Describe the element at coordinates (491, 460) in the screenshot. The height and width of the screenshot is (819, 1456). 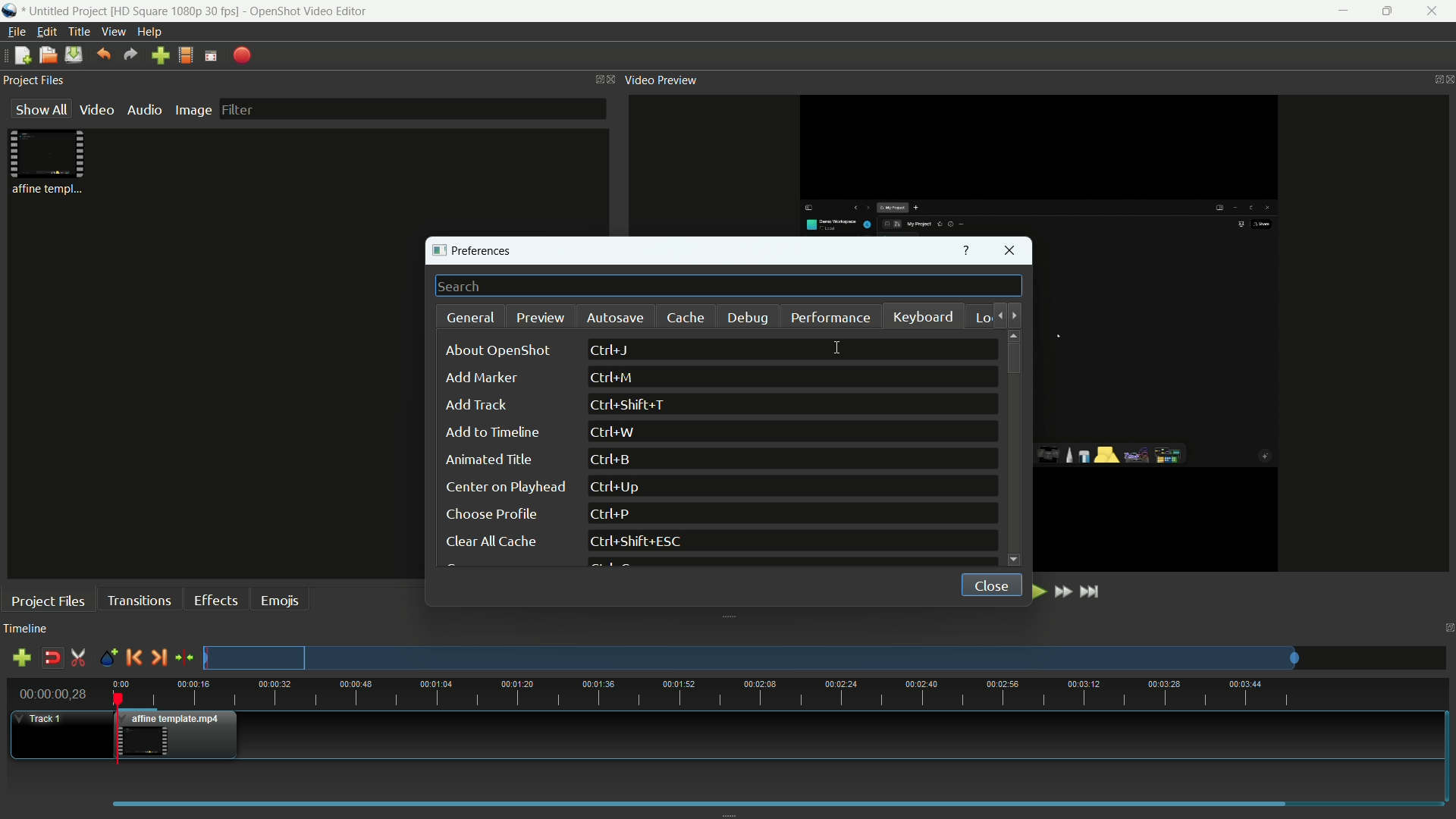
I see `animated title` at that location.